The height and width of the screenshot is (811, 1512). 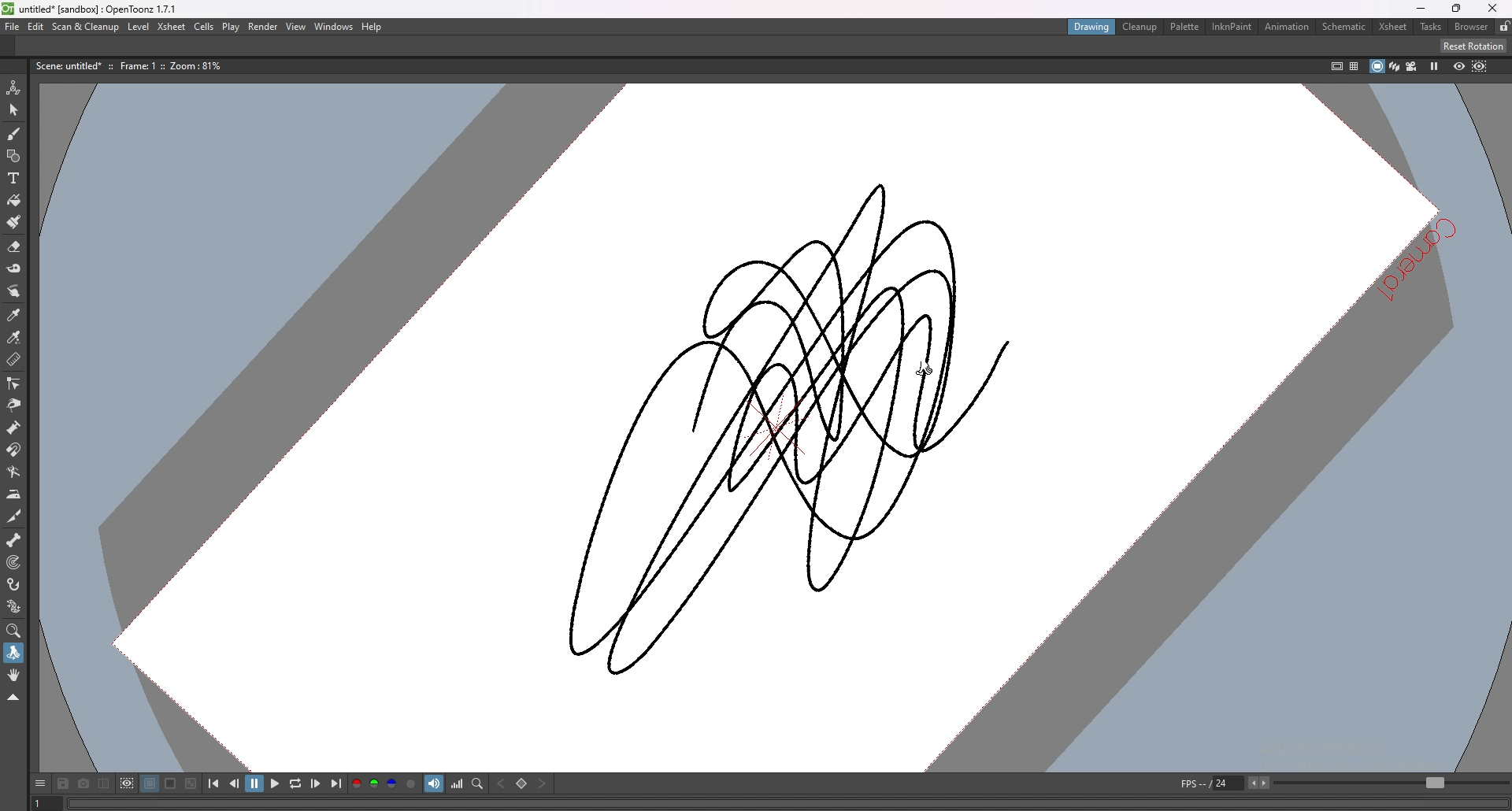 What do you see at coordinates (434, 784) in the screenshot?
I see `soundtrack` at bounding box center [434, 784].